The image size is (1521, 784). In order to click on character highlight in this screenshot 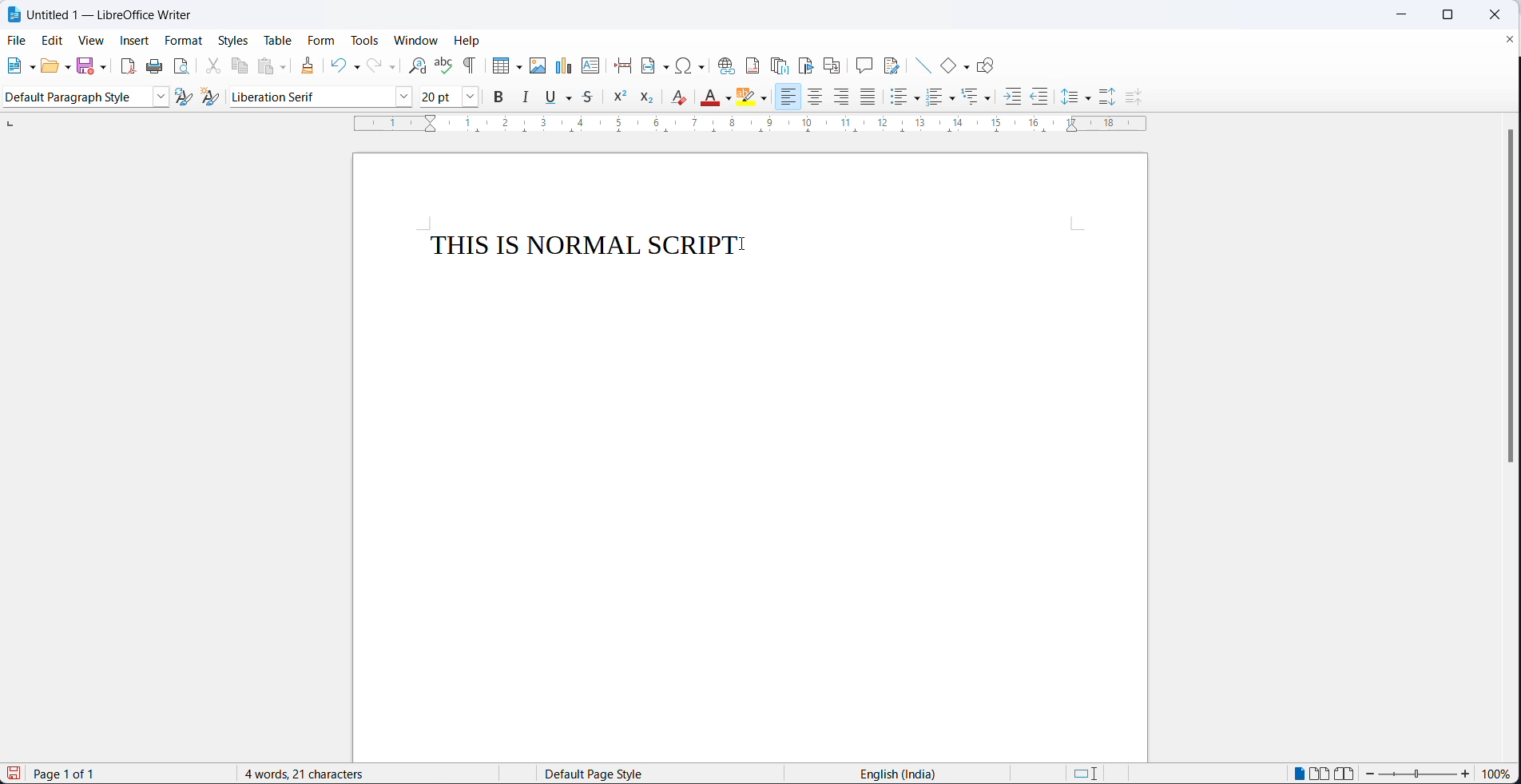, I will do `click(748, 97)`.